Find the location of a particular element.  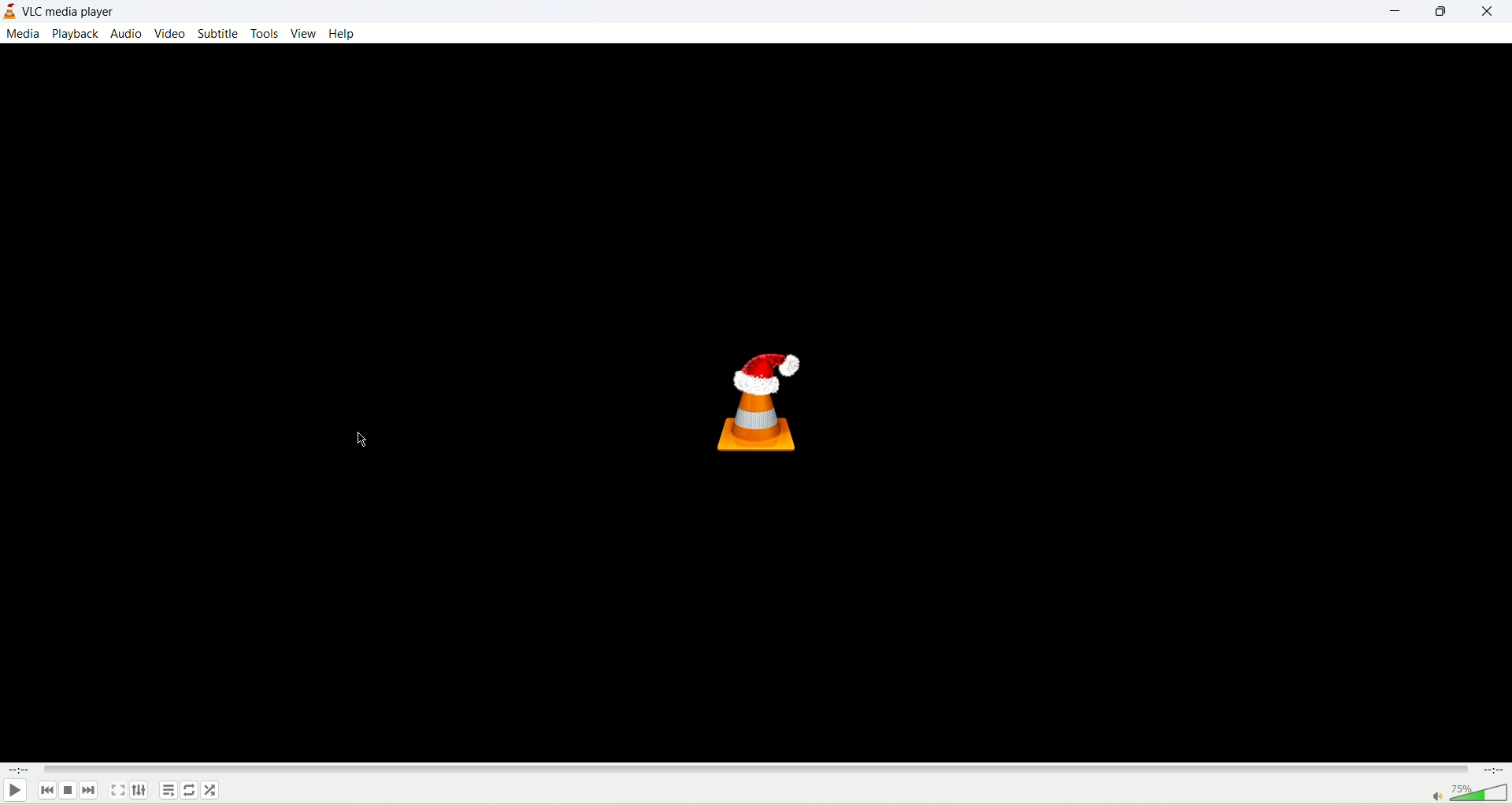

audio is located at coordinates (128, 32).